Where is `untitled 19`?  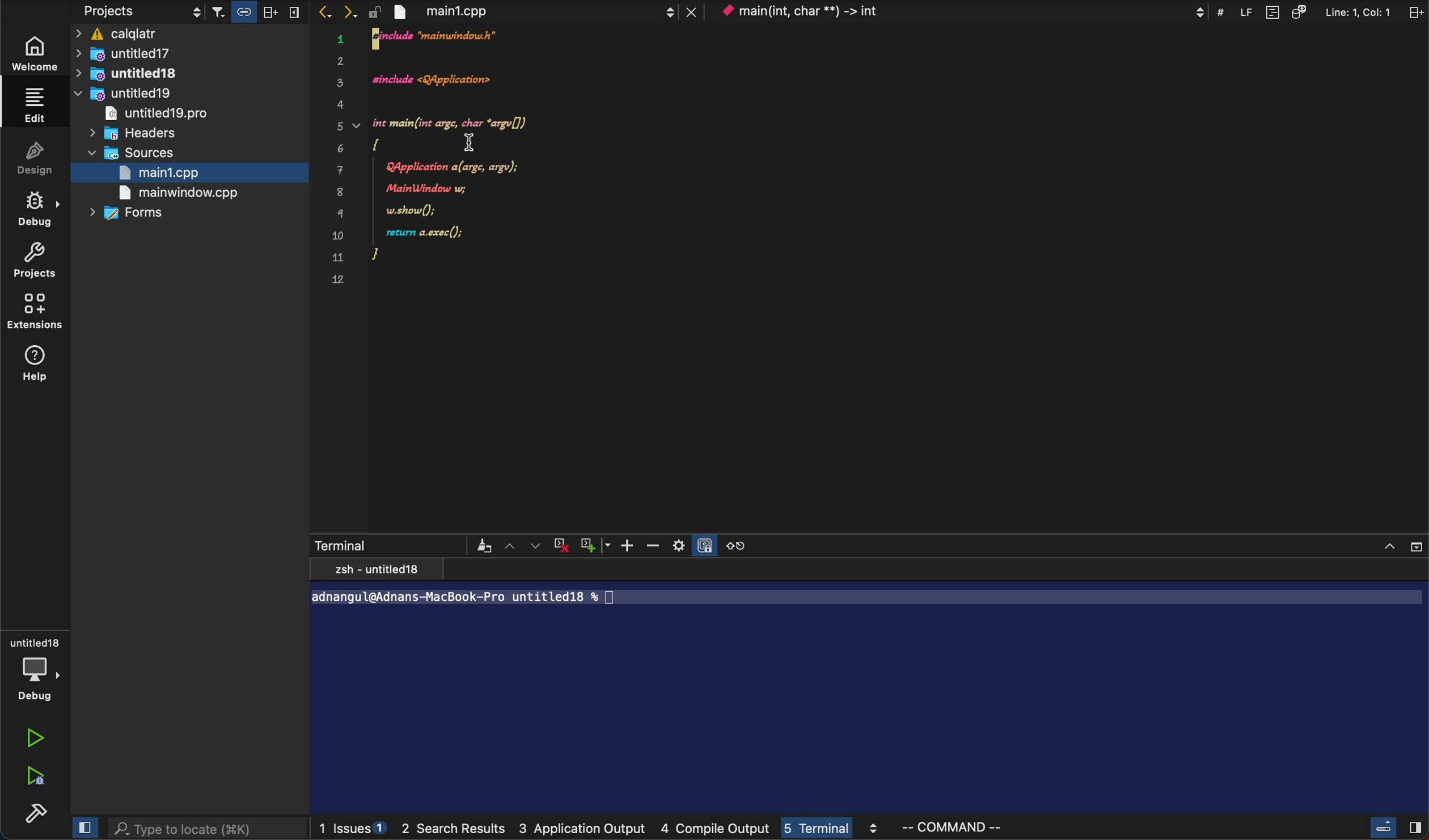
untitled 19 is located at coordinates (159, 115).